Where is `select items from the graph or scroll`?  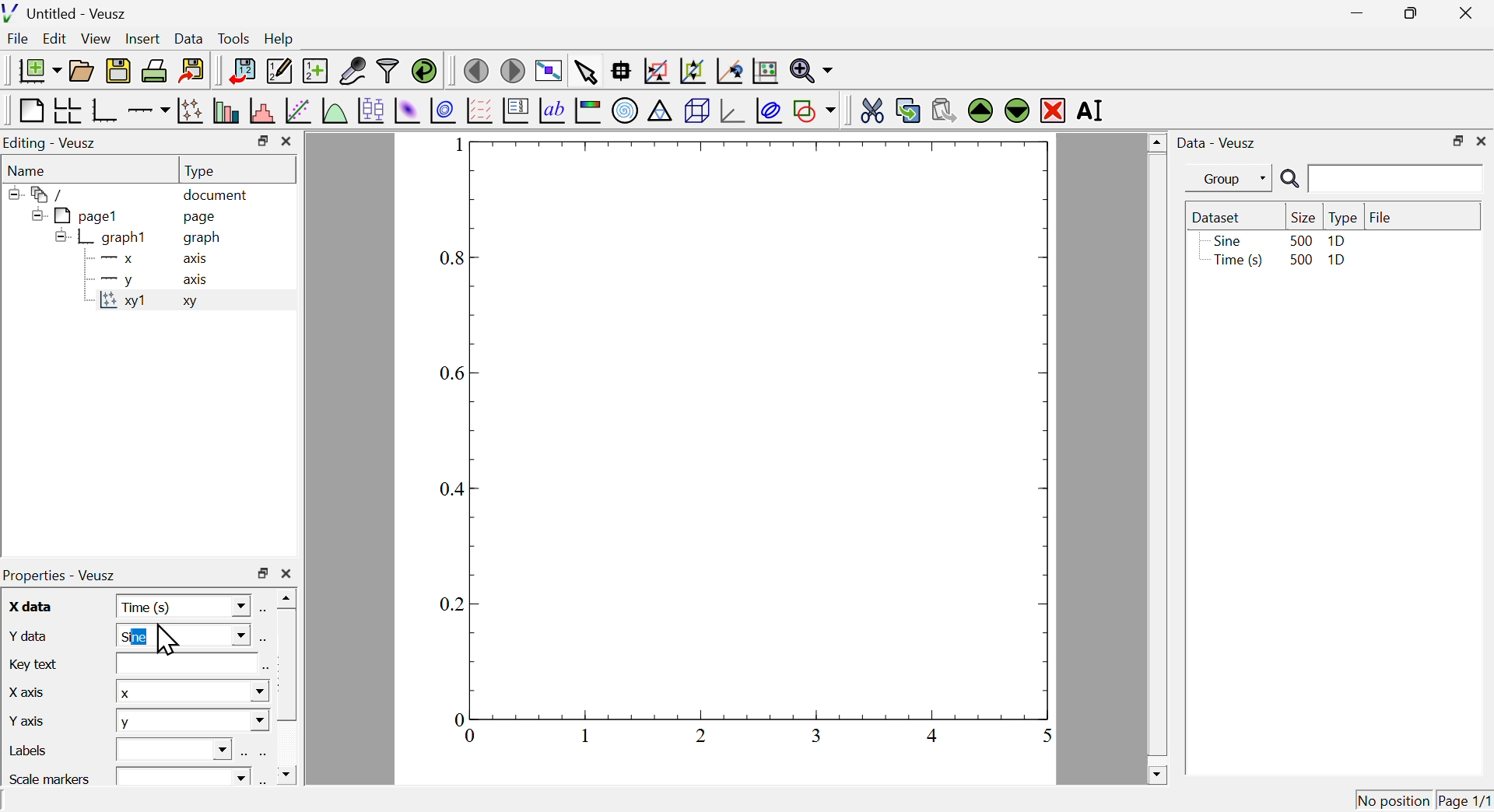 select items from the graph or scroll is located at coordinates (585, 71).